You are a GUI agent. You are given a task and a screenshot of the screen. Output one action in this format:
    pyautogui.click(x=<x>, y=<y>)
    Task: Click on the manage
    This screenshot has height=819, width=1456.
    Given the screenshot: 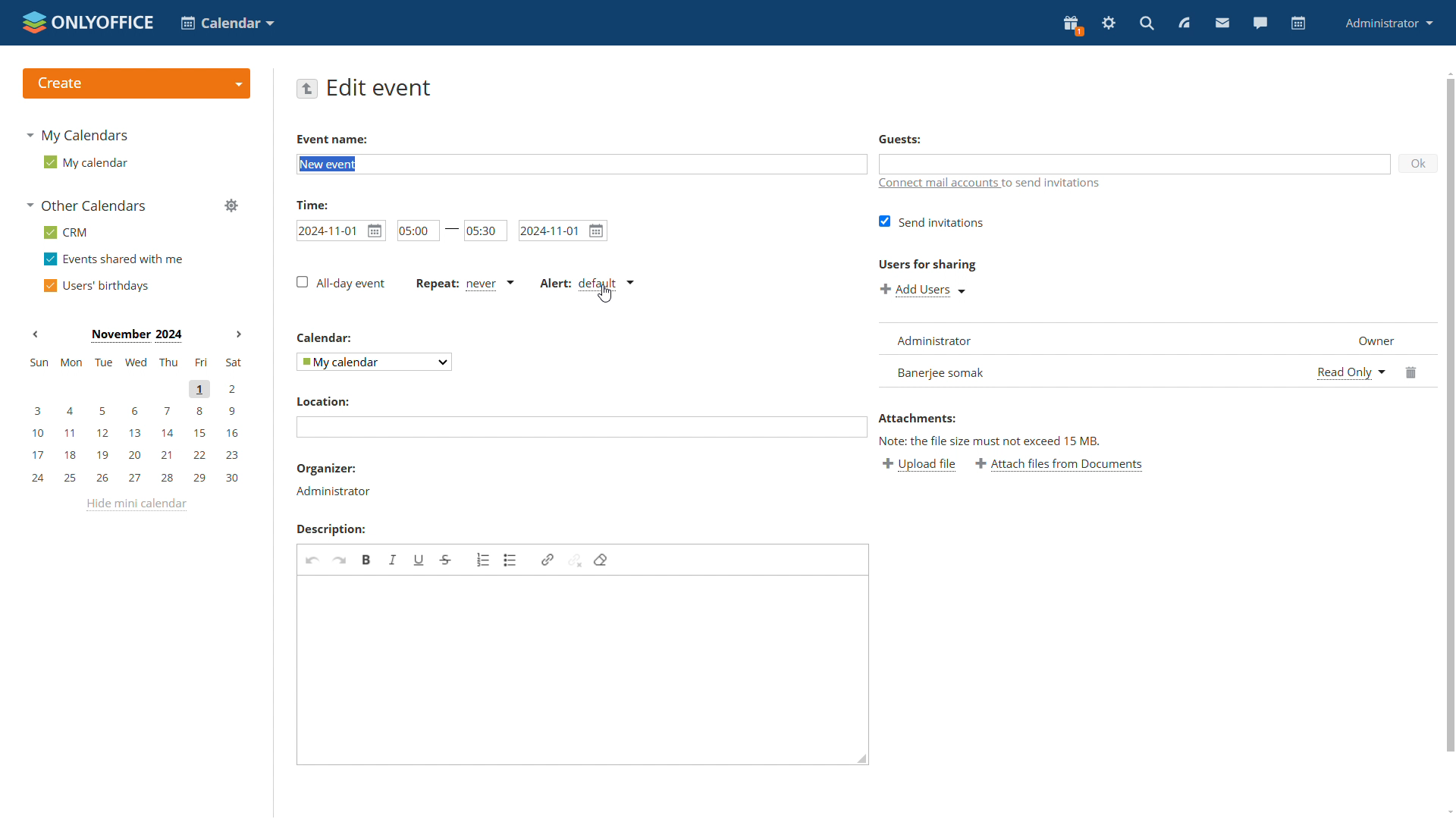 What is the action you would take?
    pyautogui.click(x=231, y=206)
    